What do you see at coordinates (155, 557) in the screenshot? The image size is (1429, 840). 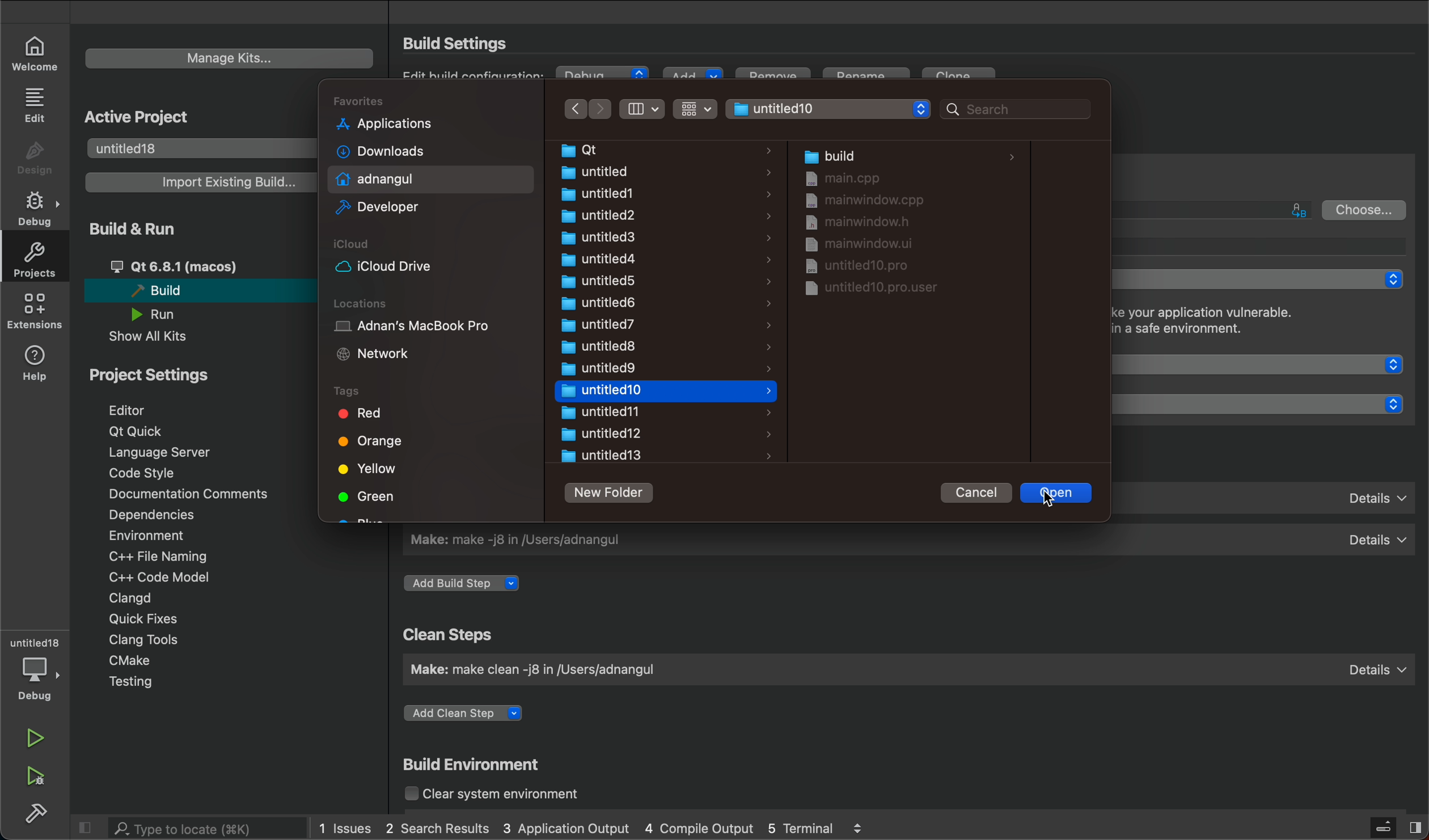 I see `C++ file naming` at bounding box center [155, 557].